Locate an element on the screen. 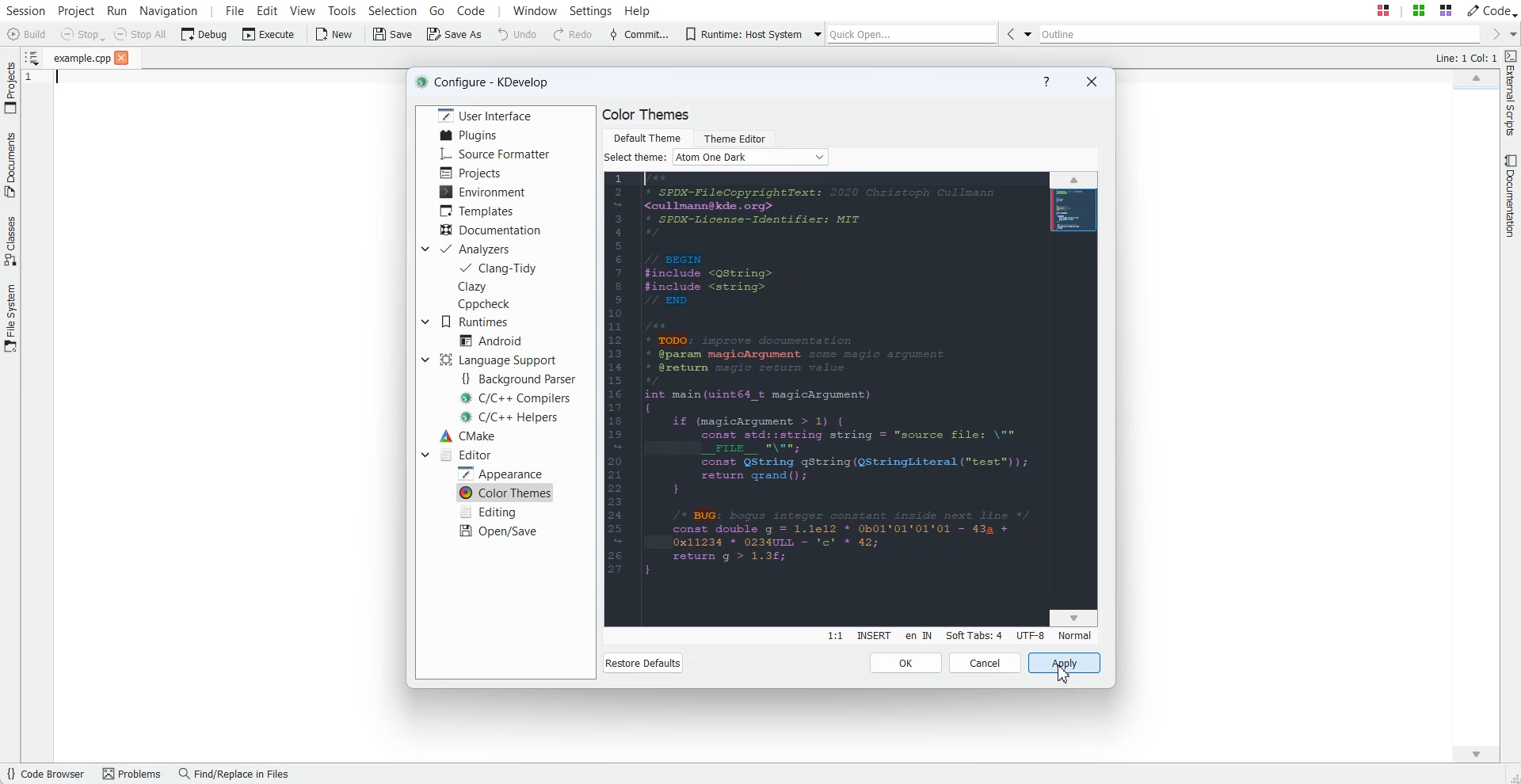 This screenshot has height=784, width=1521. Drop down box is located at coordinates (1511, 34).